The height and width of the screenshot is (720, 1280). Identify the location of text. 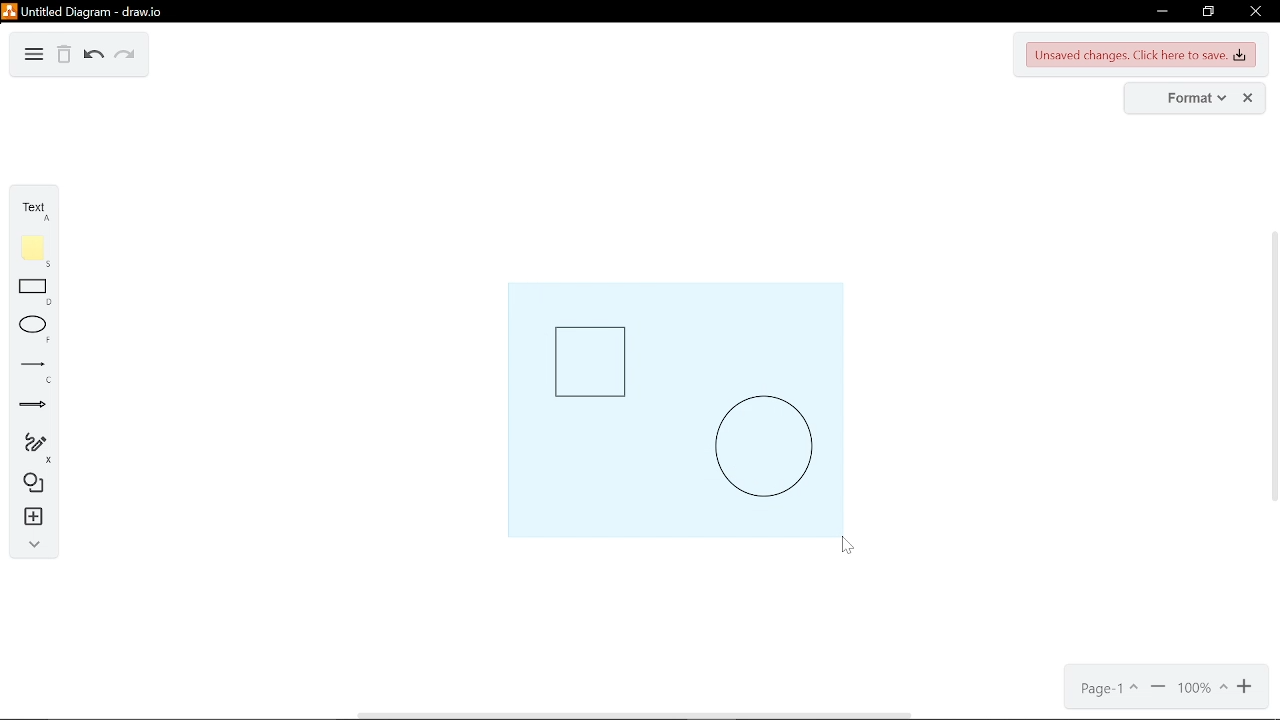
(30, 211).